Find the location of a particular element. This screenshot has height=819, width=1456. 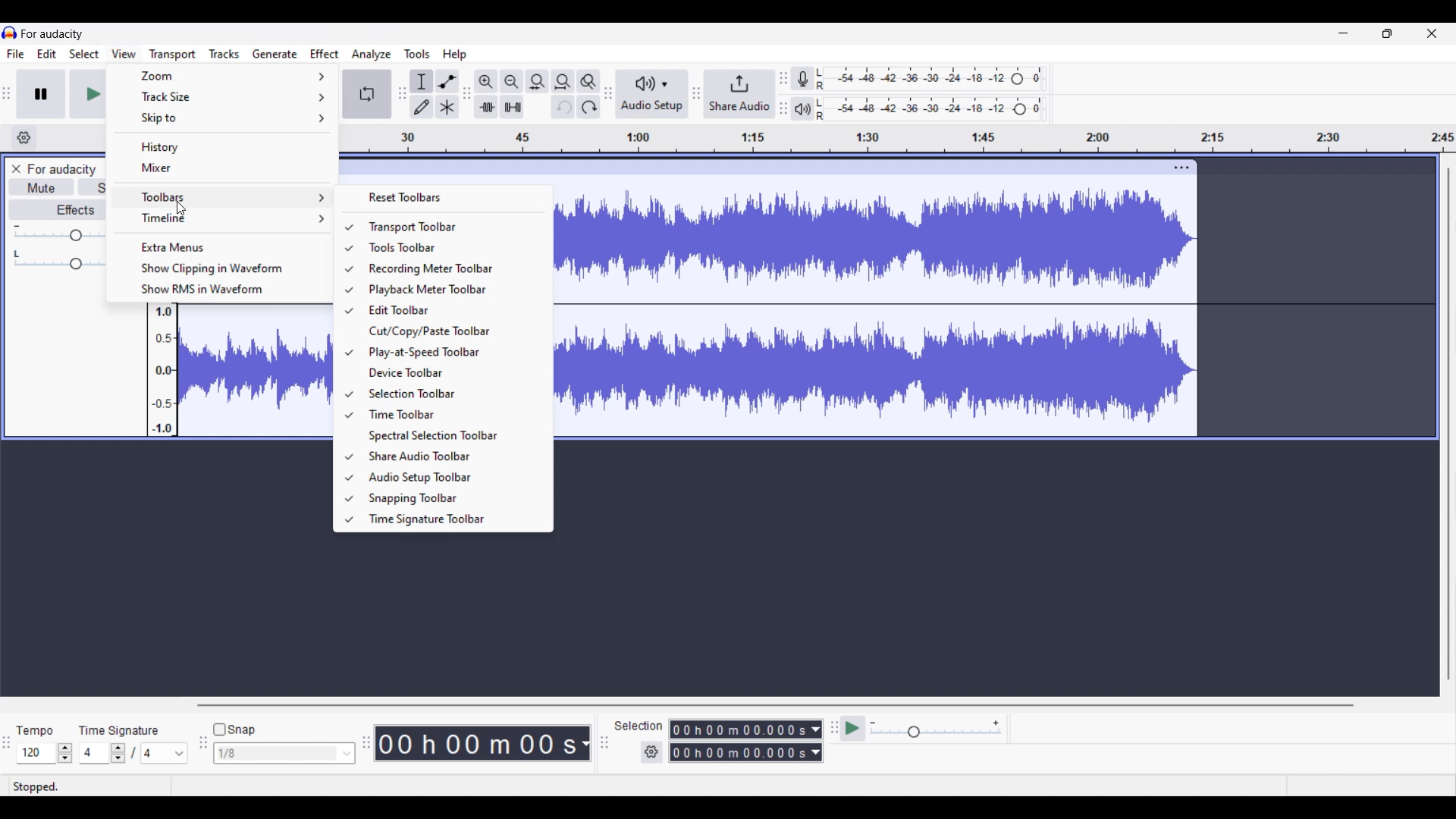

Record meter is located at coordinates (803, 79).